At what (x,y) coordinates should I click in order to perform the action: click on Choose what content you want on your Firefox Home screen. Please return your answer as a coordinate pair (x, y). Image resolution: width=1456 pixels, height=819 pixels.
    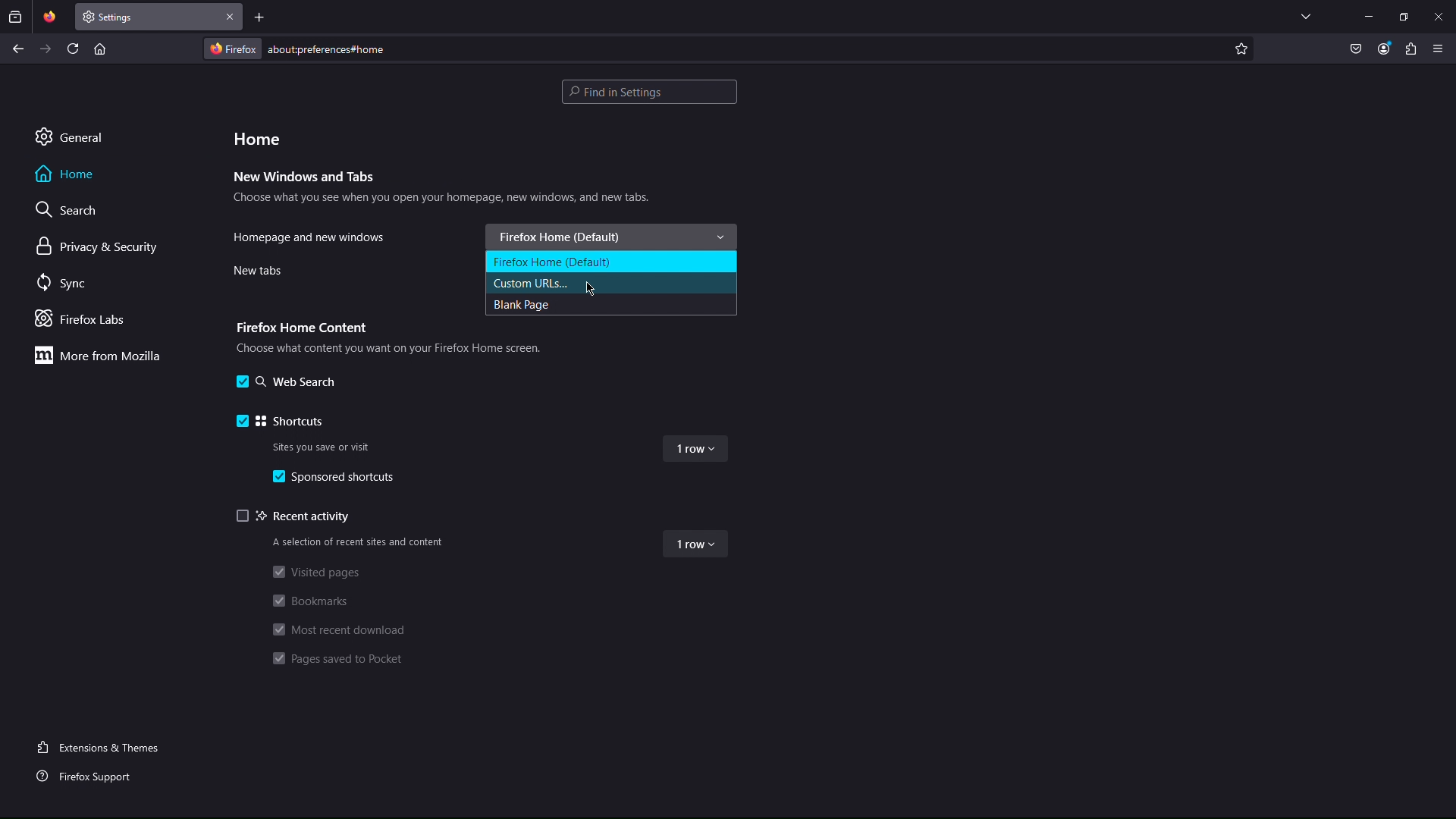
    Looking at the image, I should click on (393, 351).